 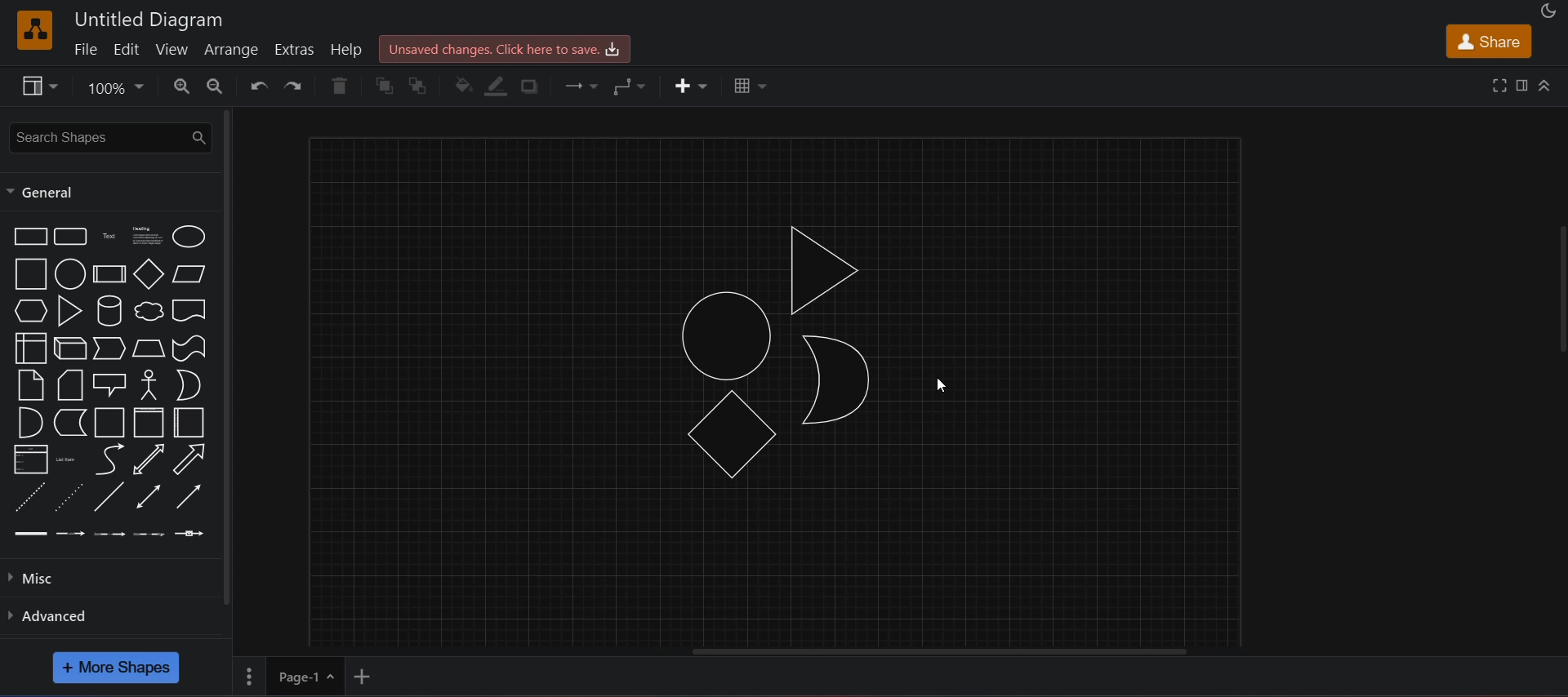 I want to click on cube, so click(x=68, y=348).